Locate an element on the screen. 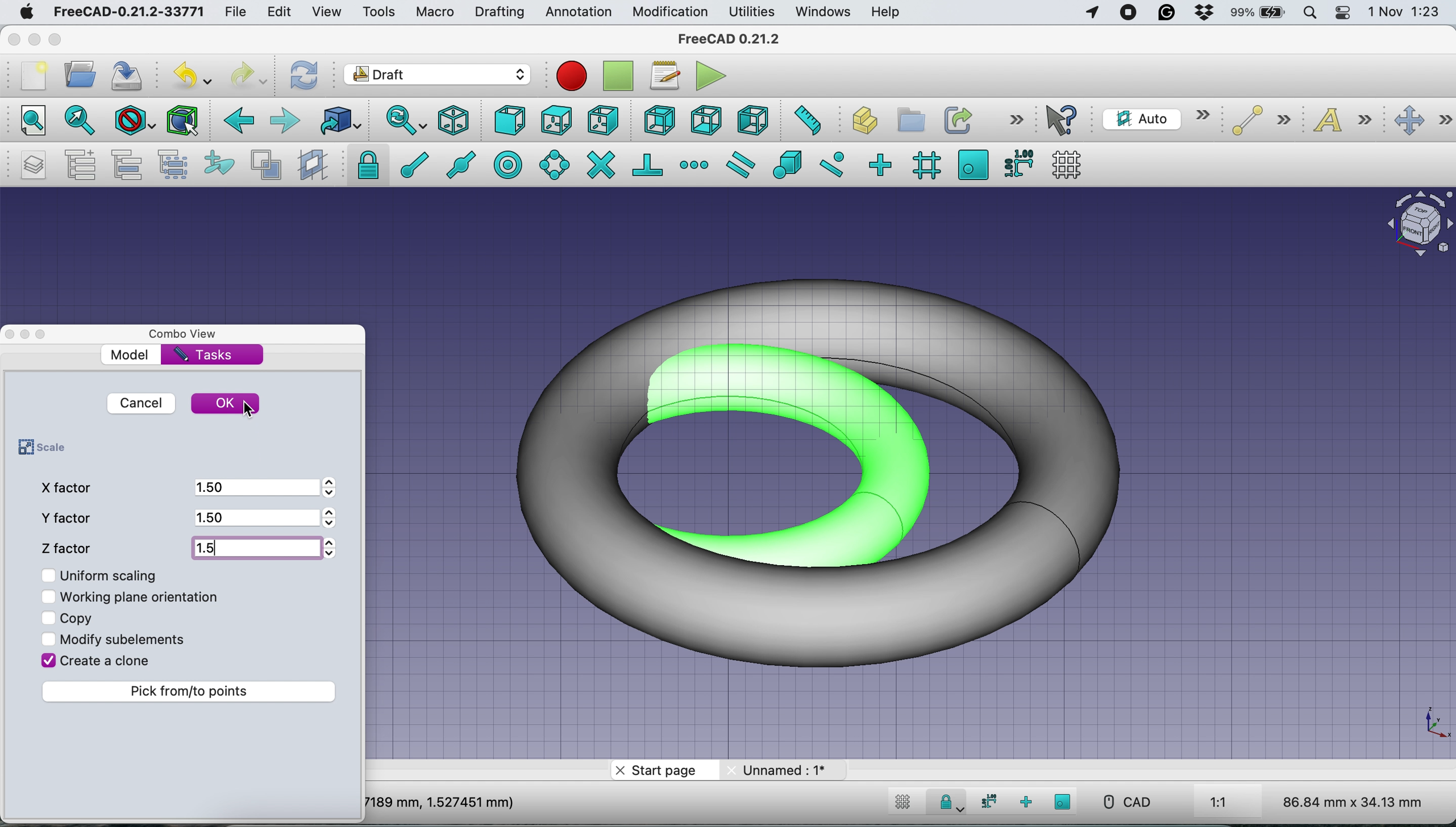  grammarly is located at coordinates (1165, 12).